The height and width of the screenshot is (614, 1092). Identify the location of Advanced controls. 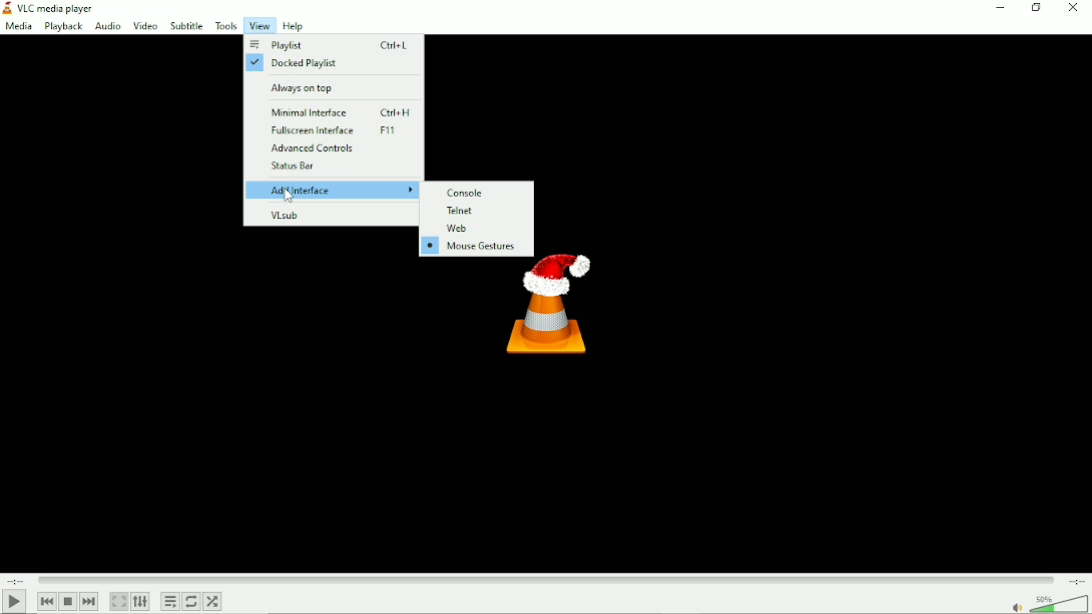
(334, 147).